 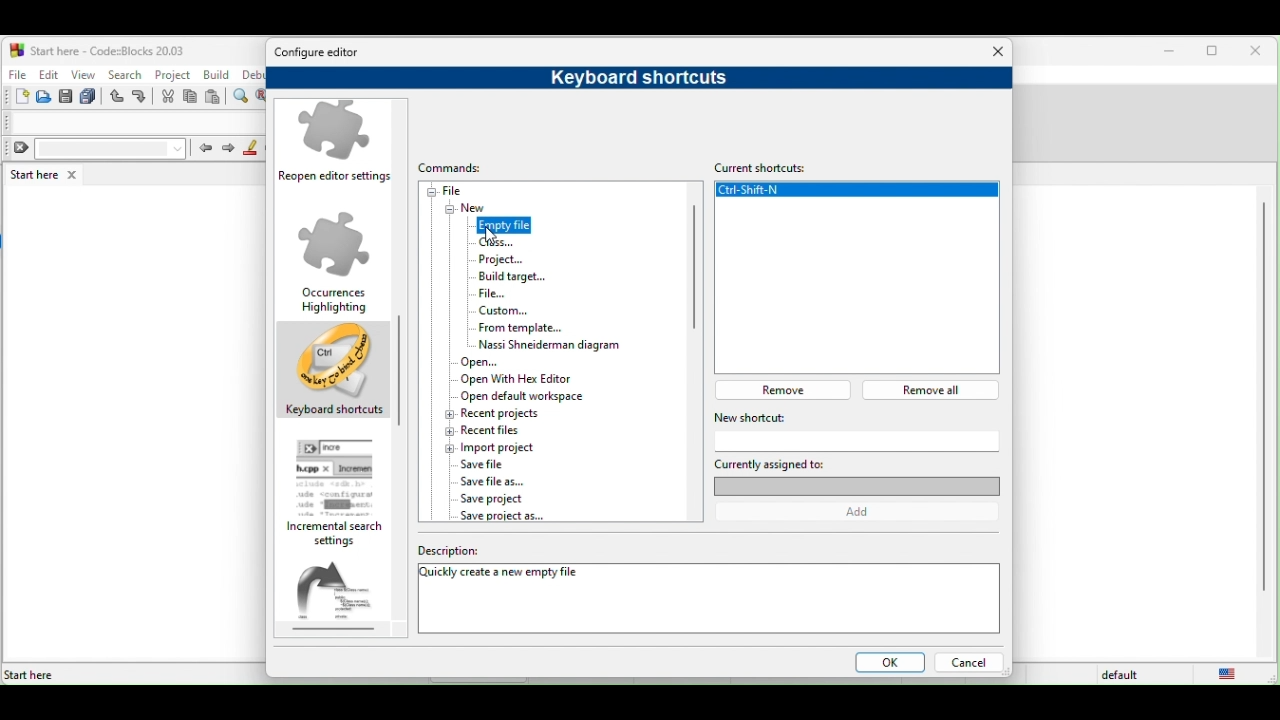 What do you see at coordinates (173, 73) in the screenshot?
I see `project` at bounding box center [173, 73].